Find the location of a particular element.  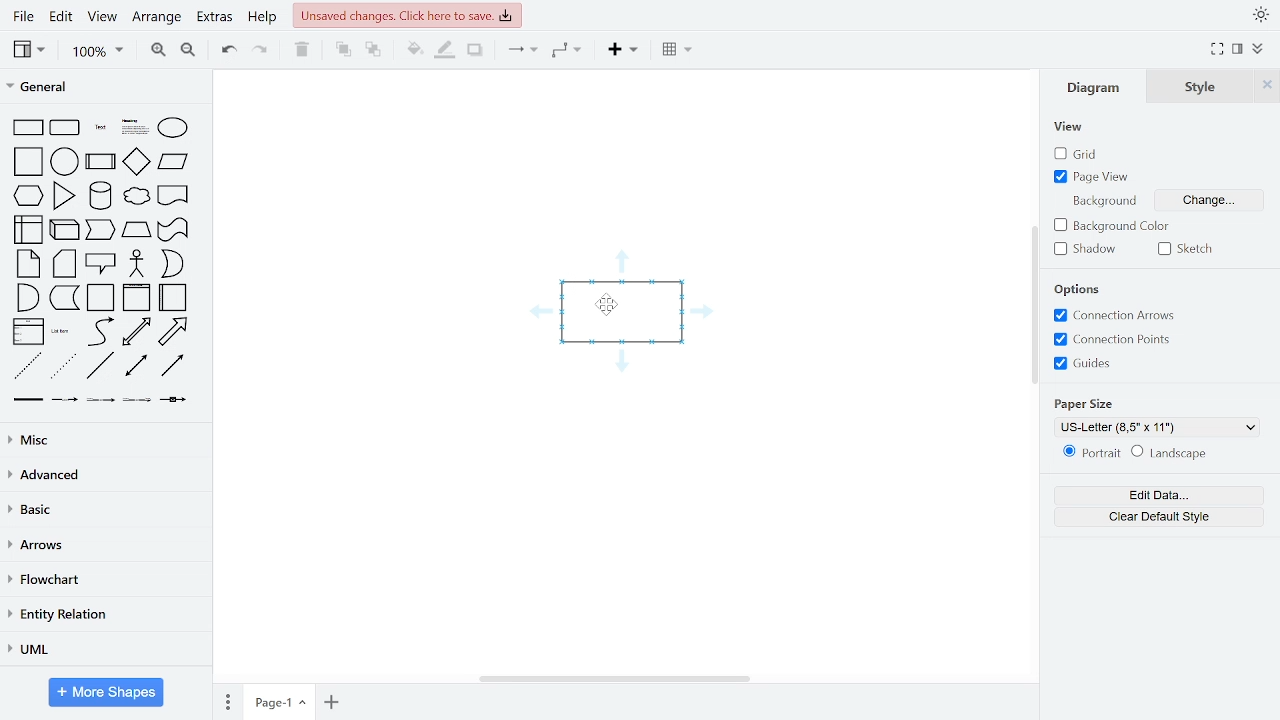

vertical container is located at coordinates (136, 298).